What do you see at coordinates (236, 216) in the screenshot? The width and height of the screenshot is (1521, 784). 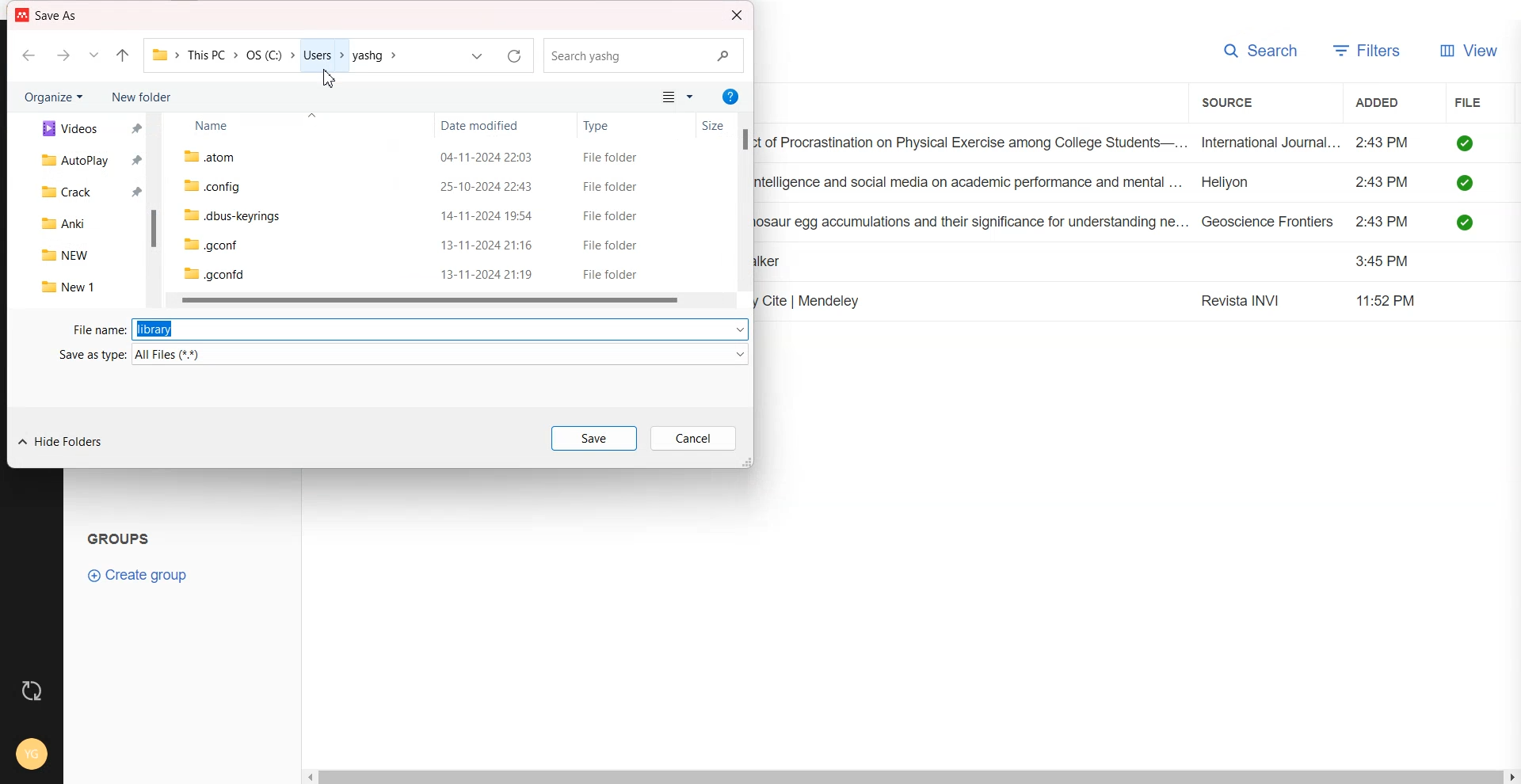 I see `.dbus-keyrings` at bounding box center [236, 216].